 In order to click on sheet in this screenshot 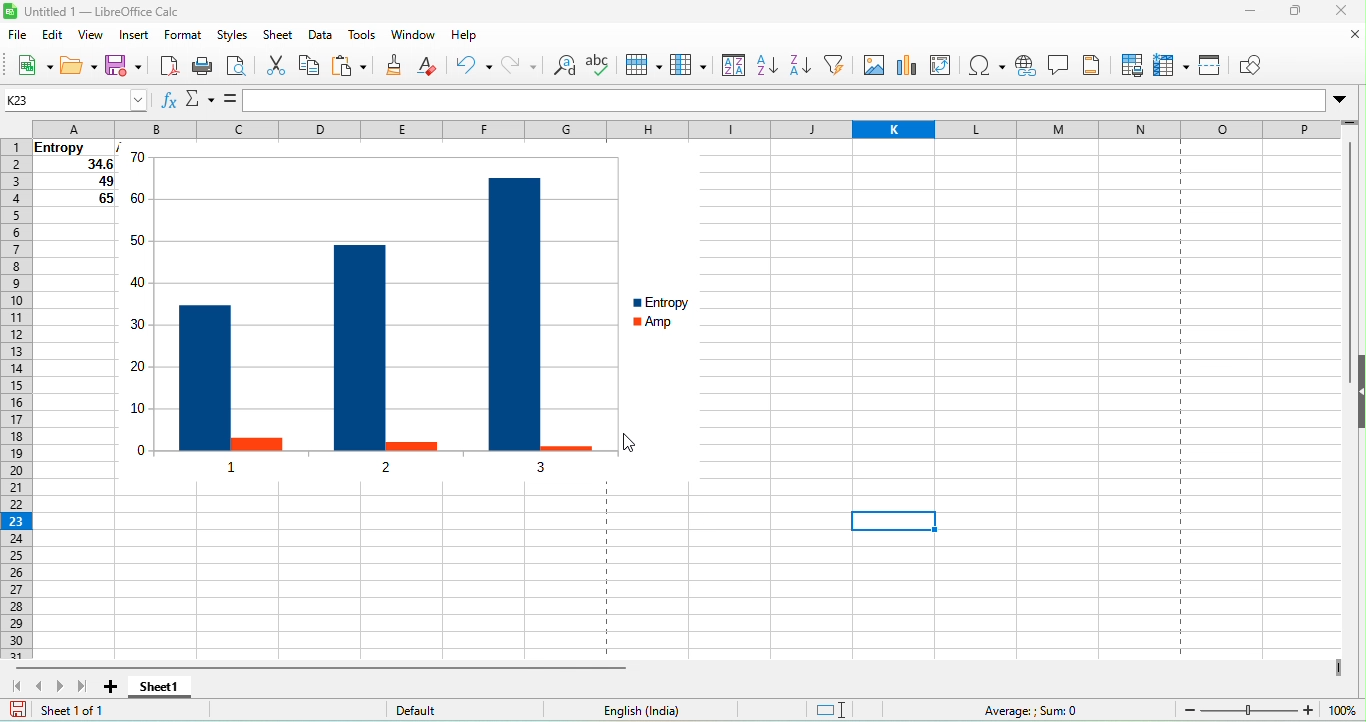, I will do `click(280, 38)`.